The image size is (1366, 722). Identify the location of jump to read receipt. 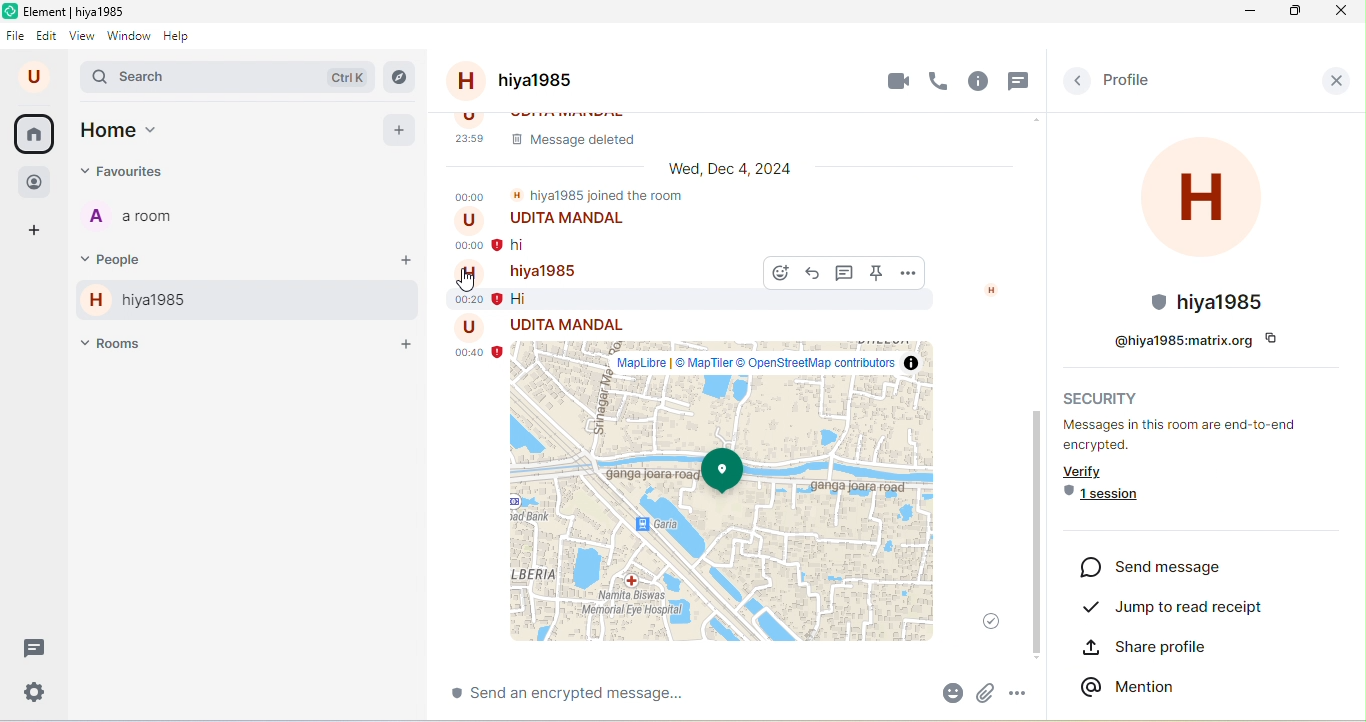
(1175, 609).